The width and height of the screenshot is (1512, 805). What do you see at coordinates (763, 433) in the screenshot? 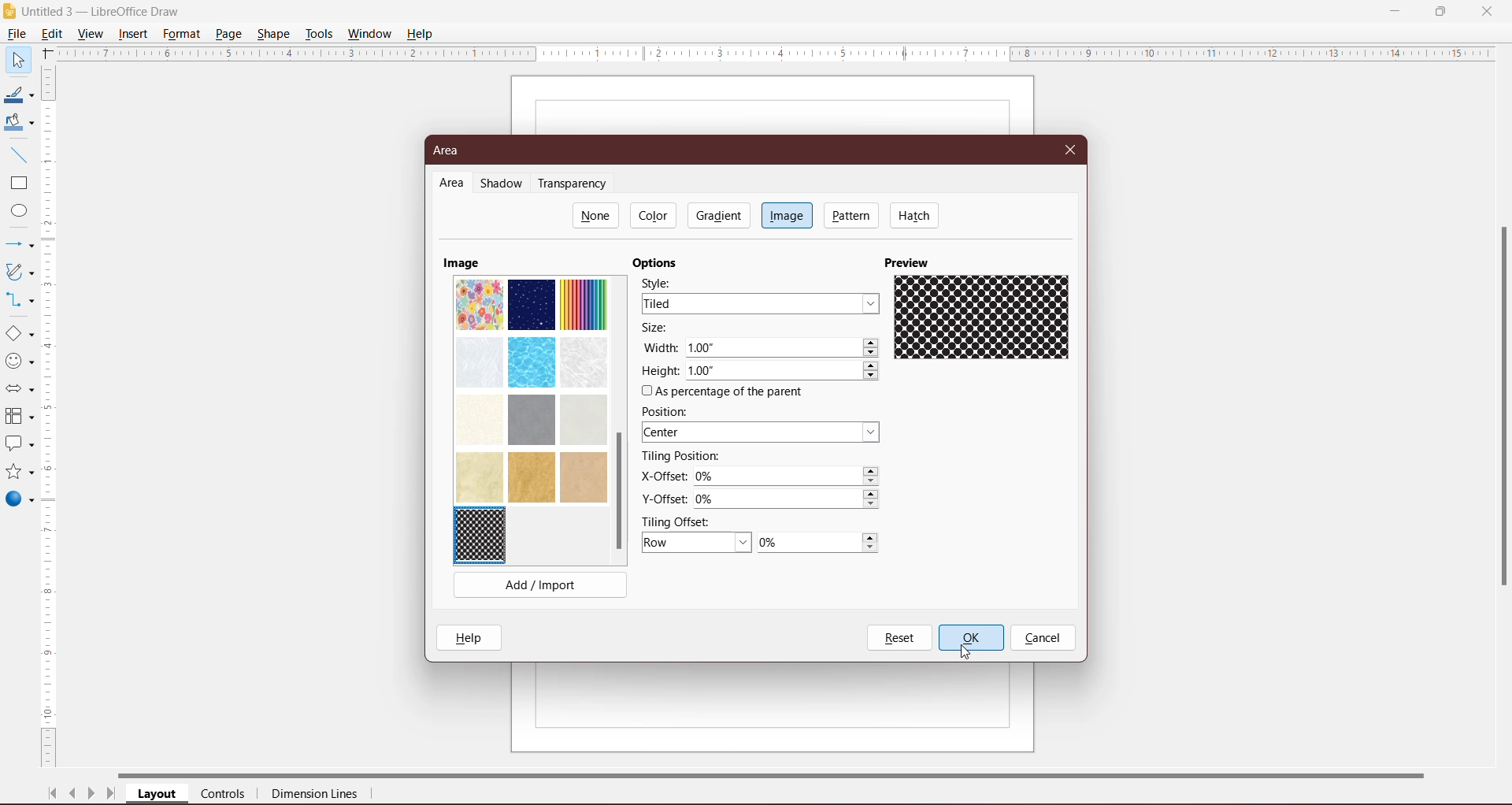
I see `Select the position` at bounding box center [763, 433].